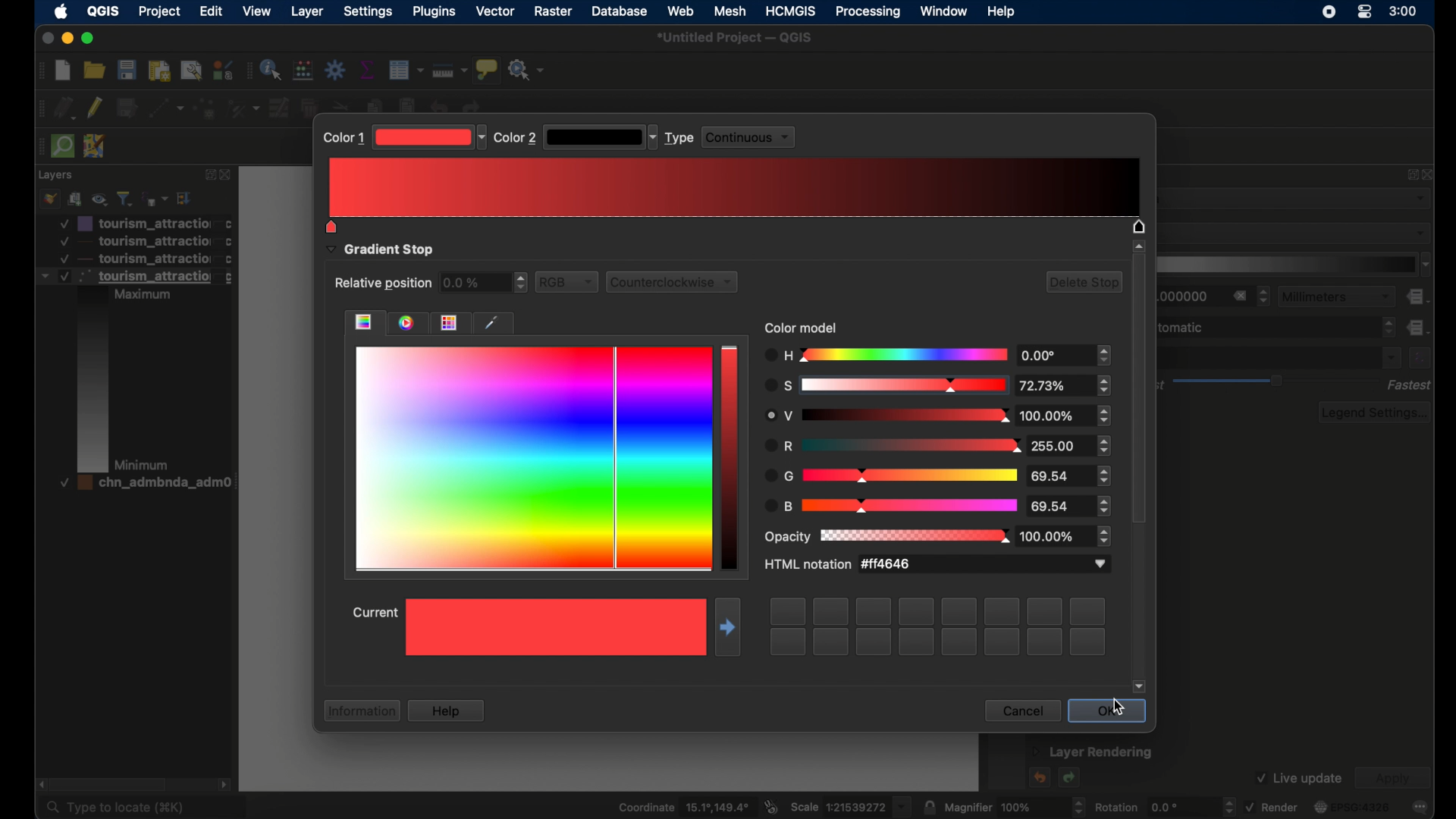 The image size is (1456, 819). Describe the element at coordinates (407, 70) in the screenshot. I see `open attribute table` at that location.